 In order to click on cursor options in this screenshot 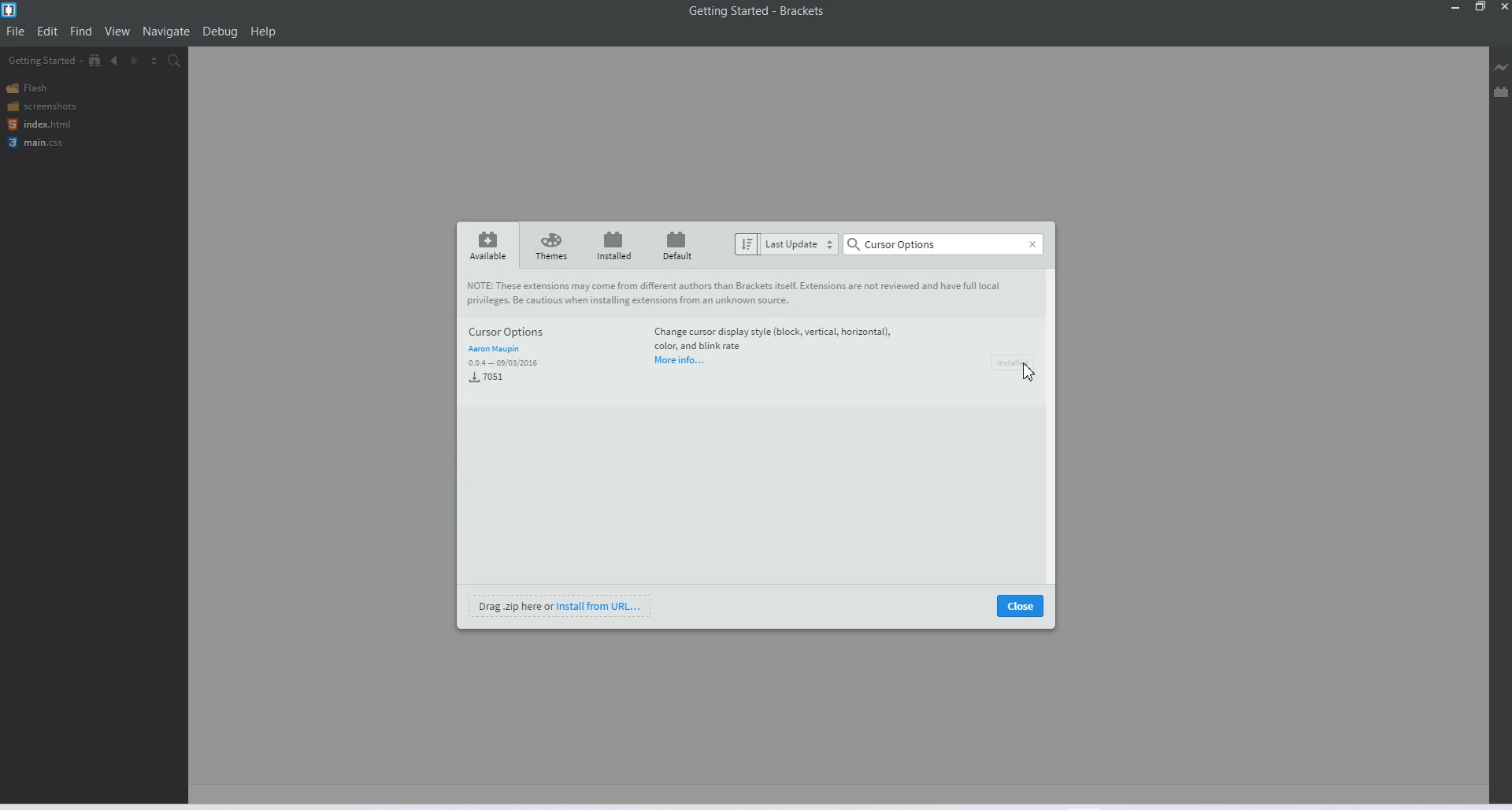, I will do `click(550, 333)`.